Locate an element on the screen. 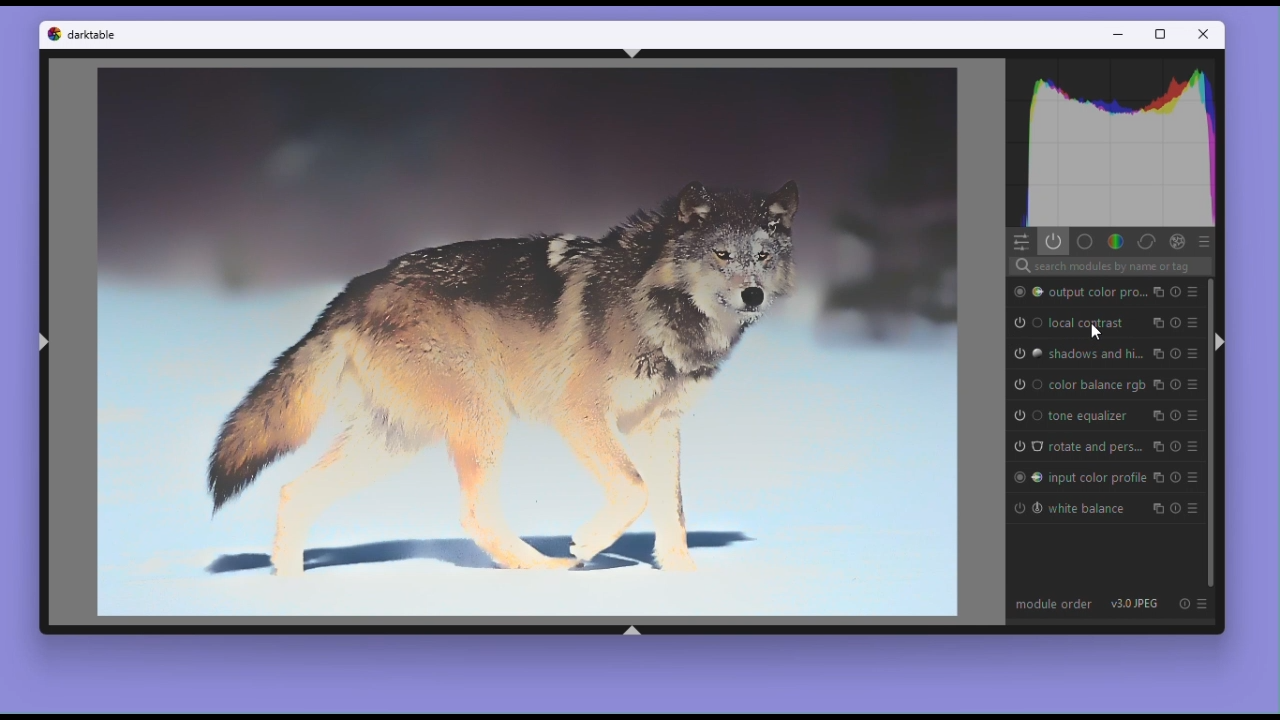 The image size is (1280, 720). Reset is located at coordinates (1184, 604).